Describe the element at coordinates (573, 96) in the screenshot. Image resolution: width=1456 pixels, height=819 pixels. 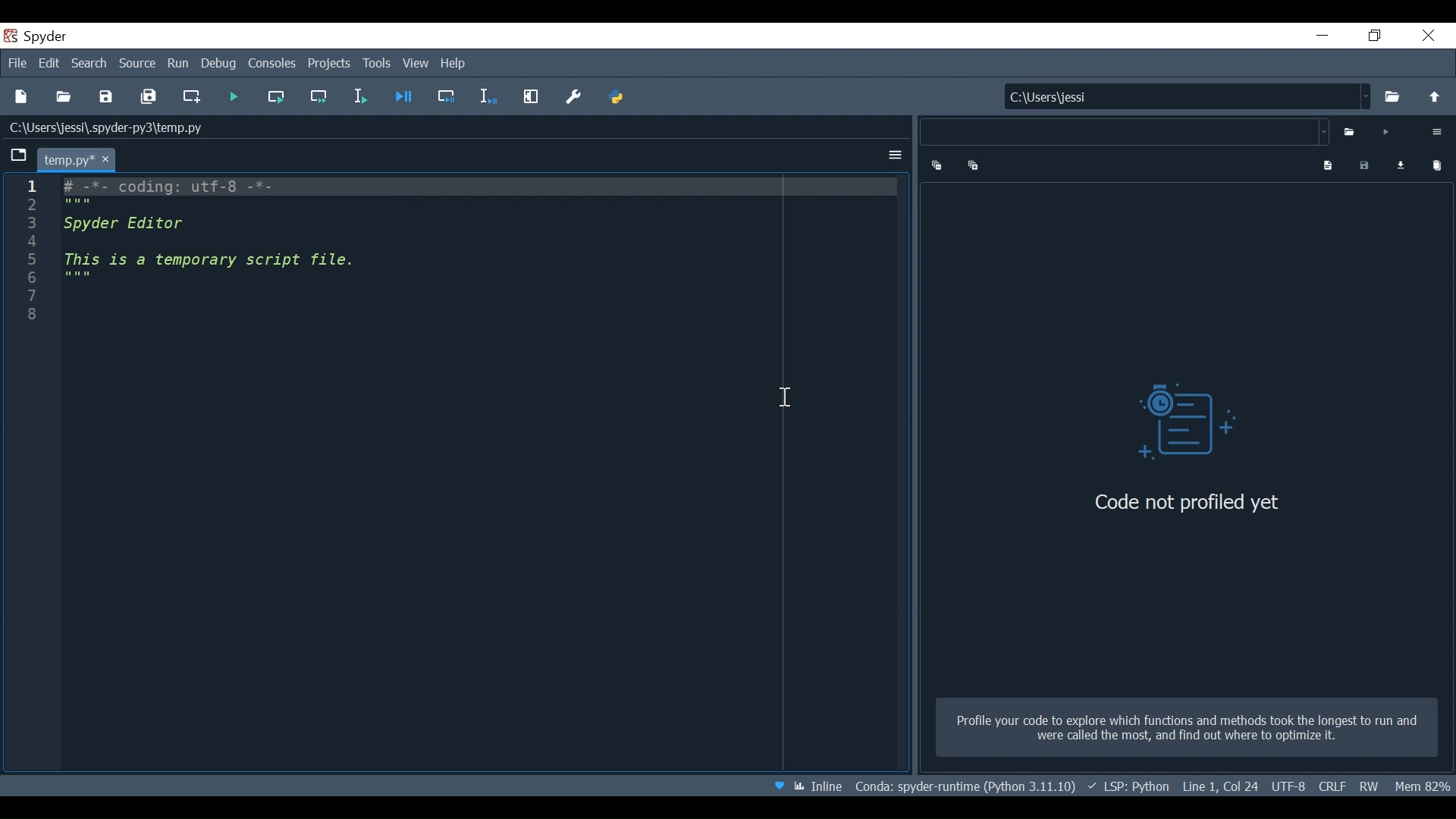
I see `Preferences` at that location.